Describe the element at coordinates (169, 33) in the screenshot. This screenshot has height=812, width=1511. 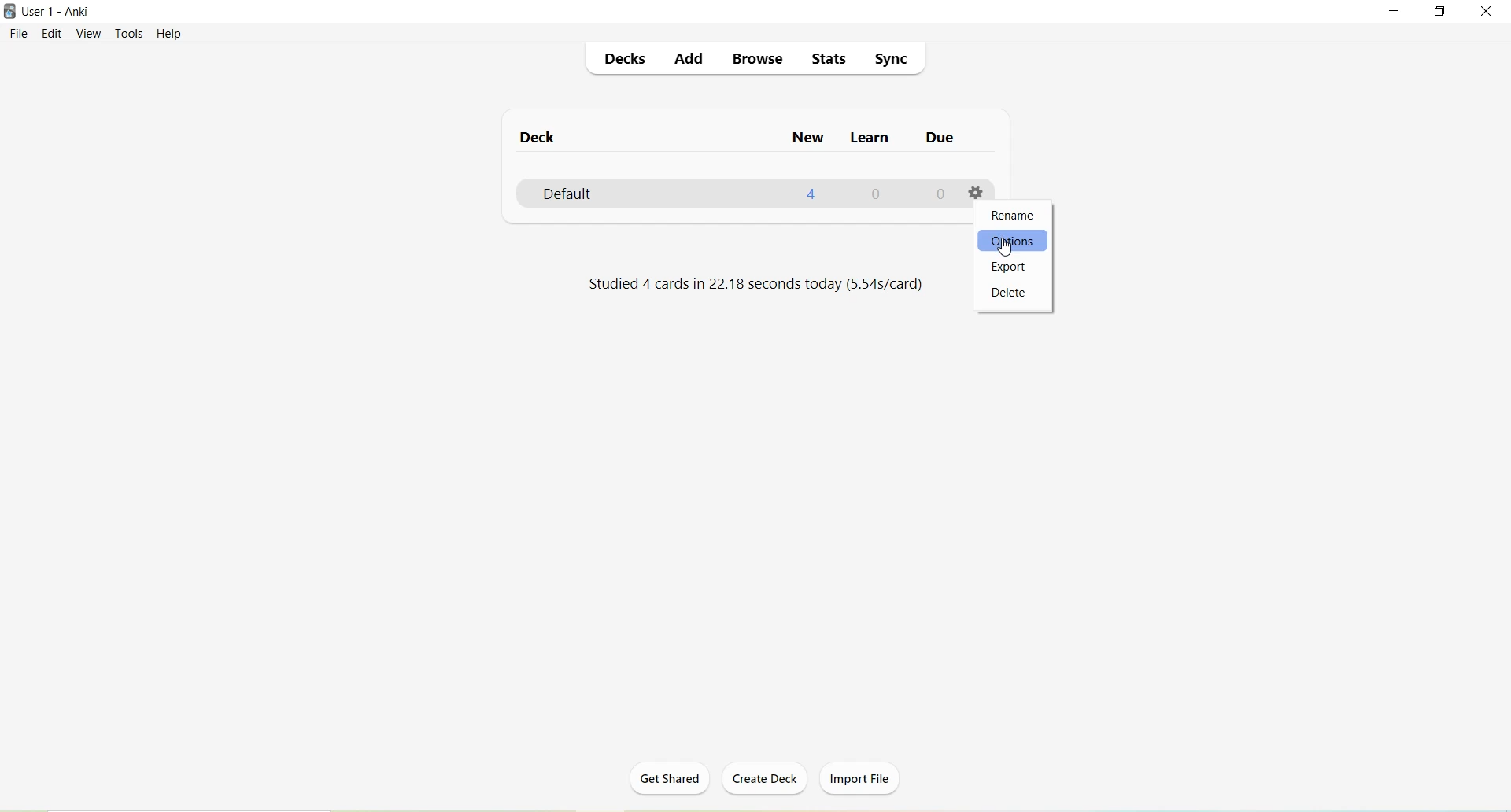
I see `Help` at that location.